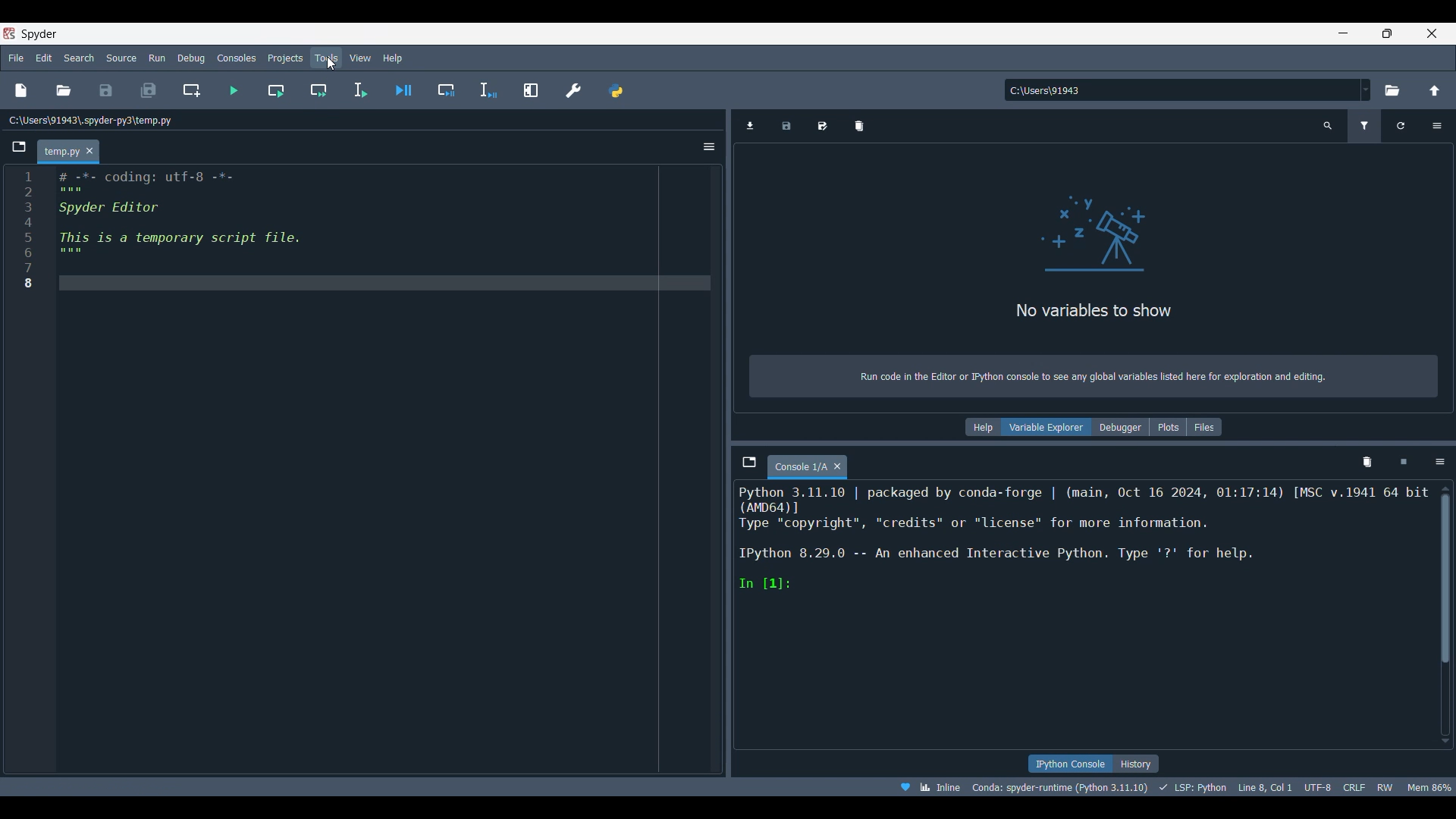 The image size is (1456, 819). I want to click on Import data, so click(751, 126).